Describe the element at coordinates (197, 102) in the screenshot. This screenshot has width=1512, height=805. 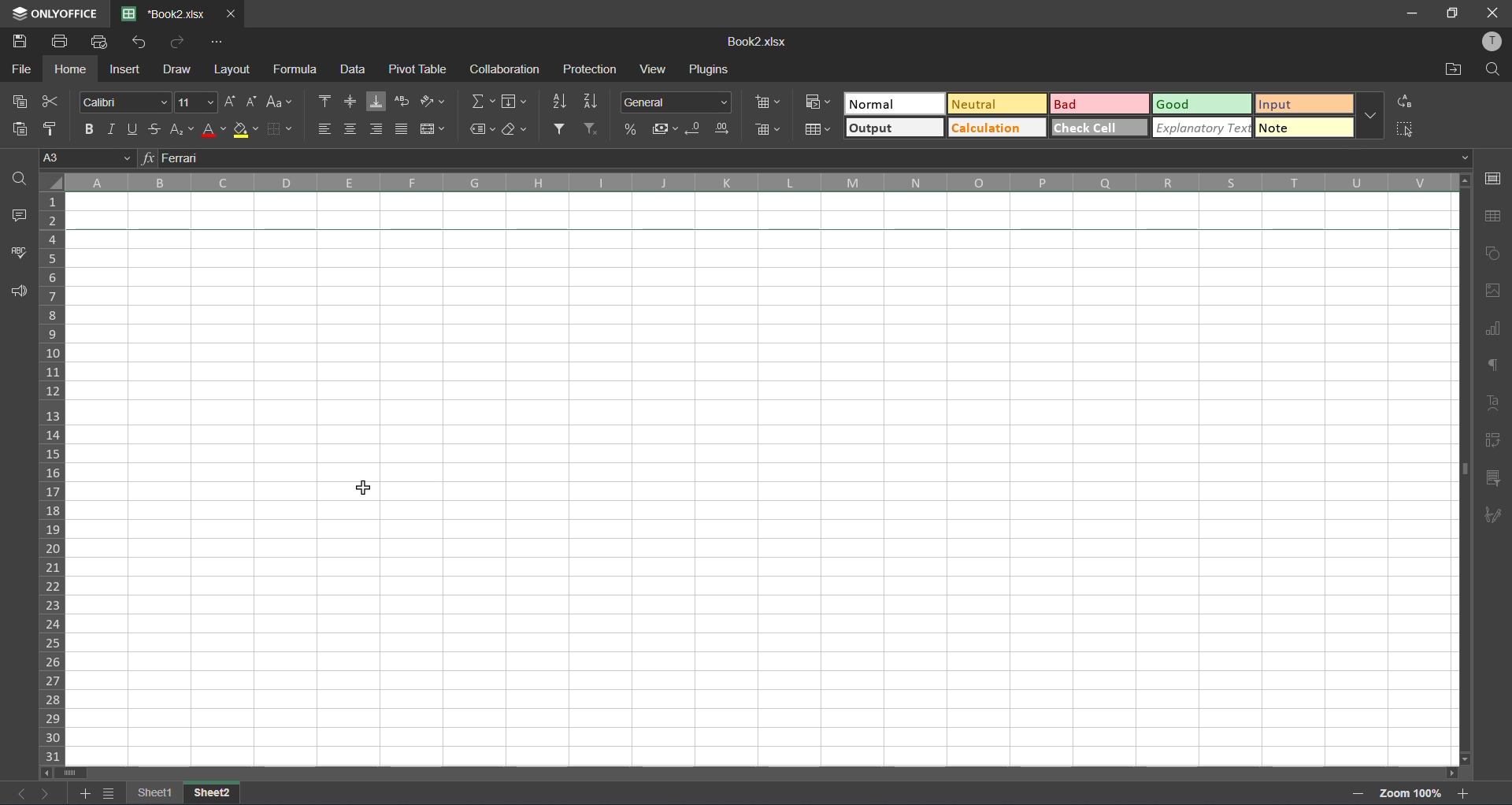
I see `font size` at that location.